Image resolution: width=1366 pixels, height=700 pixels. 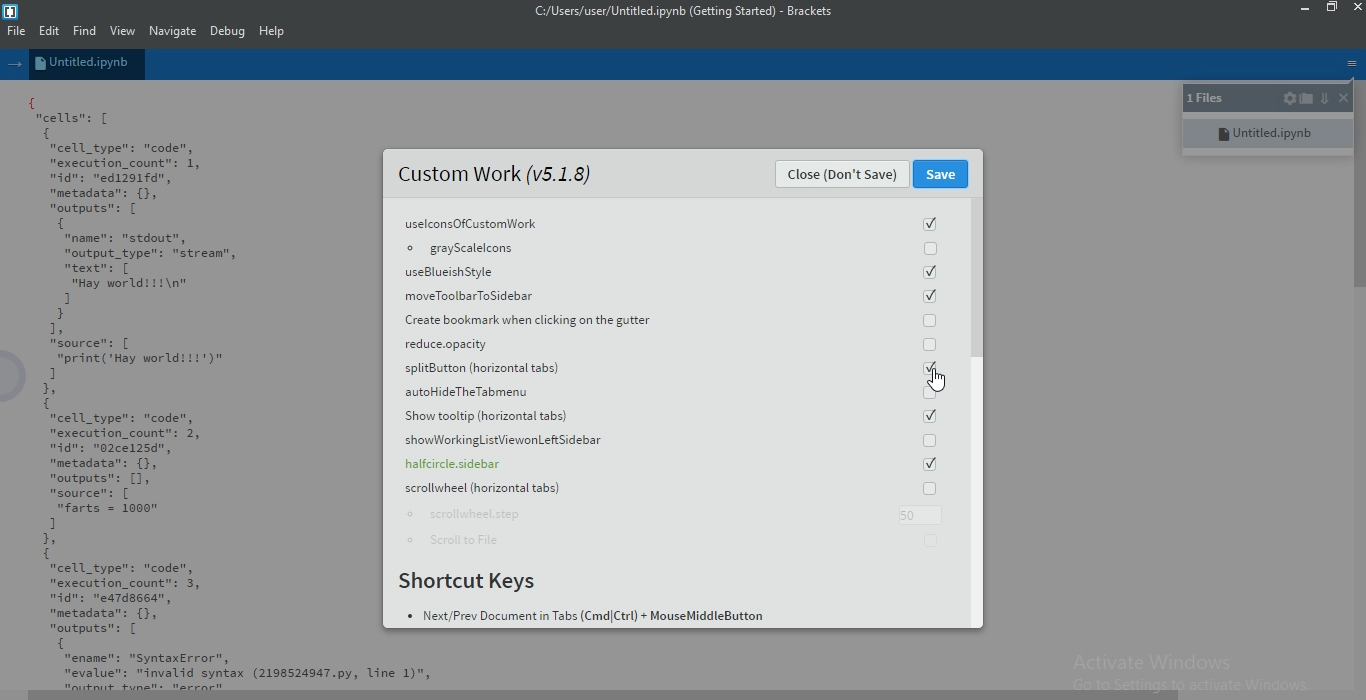 I want to click on useBlueish Style, so click(x=671, y=274).